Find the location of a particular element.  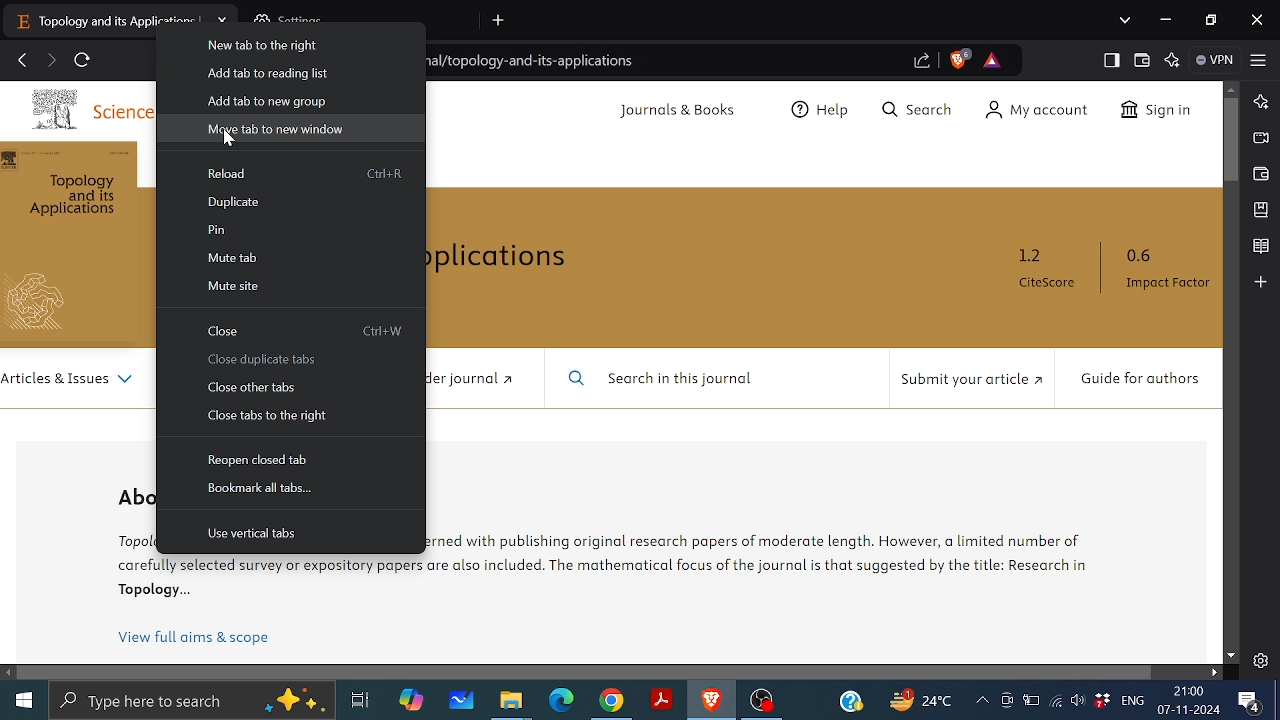

 is located at coordinates (980, 702).